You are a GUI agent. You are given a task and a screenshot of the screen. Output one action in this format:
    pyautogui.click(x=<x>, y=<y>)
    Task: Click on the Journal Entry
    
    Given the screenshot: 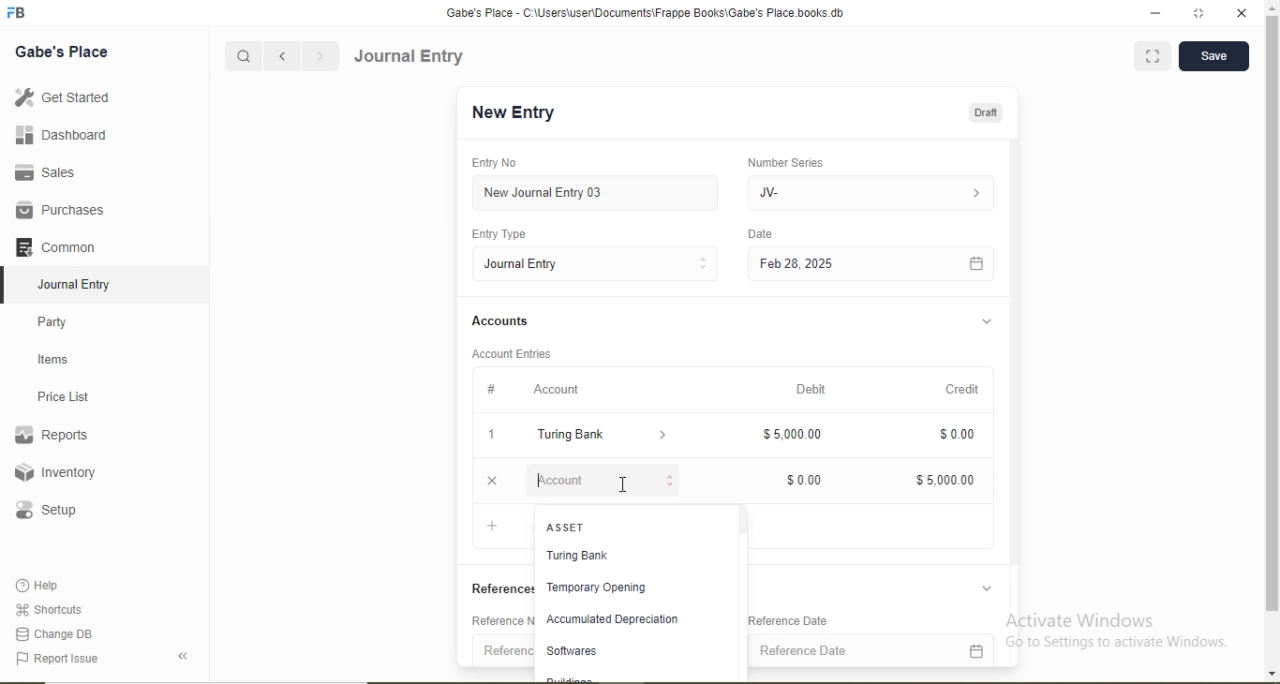 What is the action you would take?
    pyautogui.click(x=526, y=264)
    